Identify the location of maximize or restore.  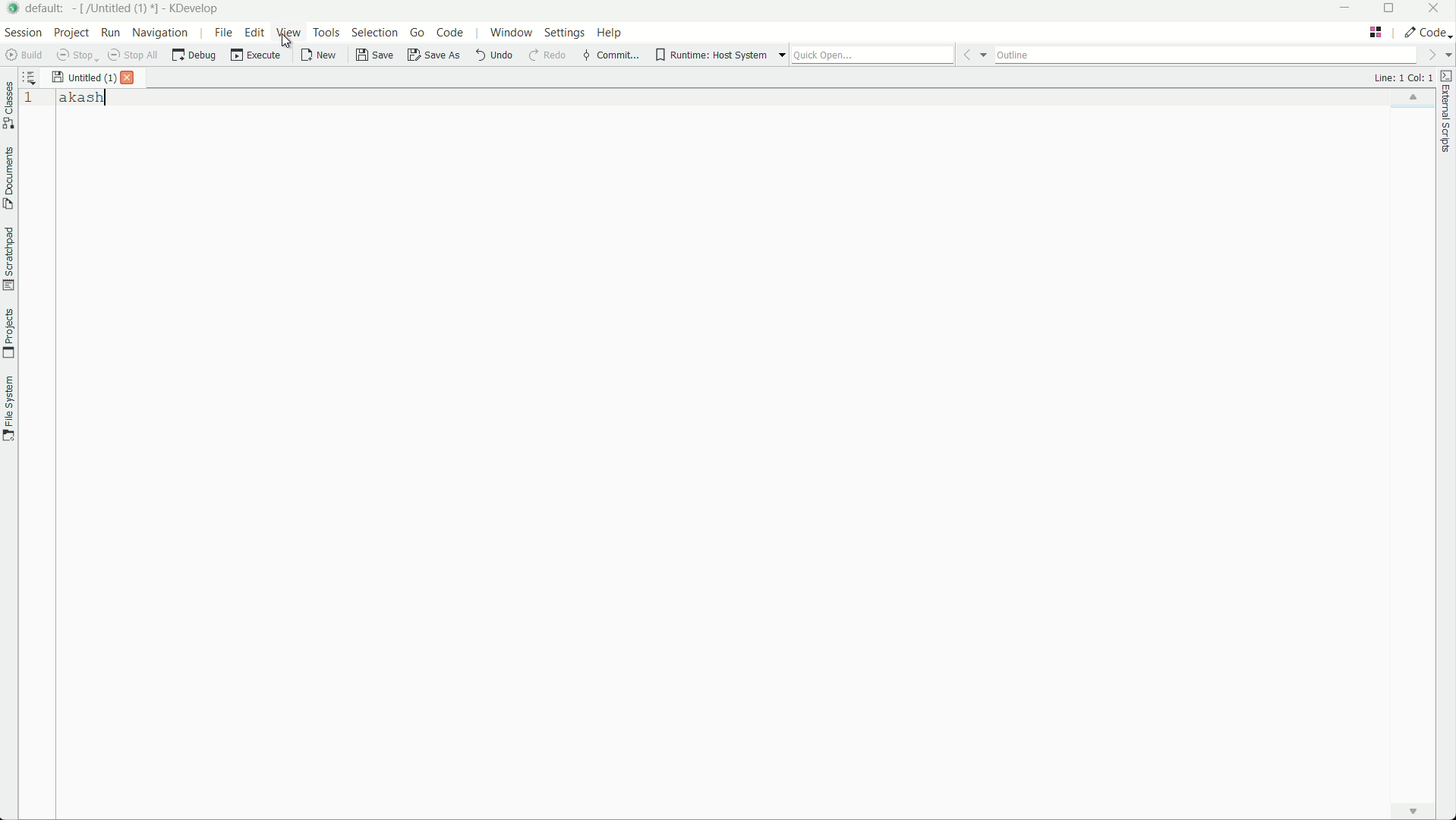
(1395, 10).